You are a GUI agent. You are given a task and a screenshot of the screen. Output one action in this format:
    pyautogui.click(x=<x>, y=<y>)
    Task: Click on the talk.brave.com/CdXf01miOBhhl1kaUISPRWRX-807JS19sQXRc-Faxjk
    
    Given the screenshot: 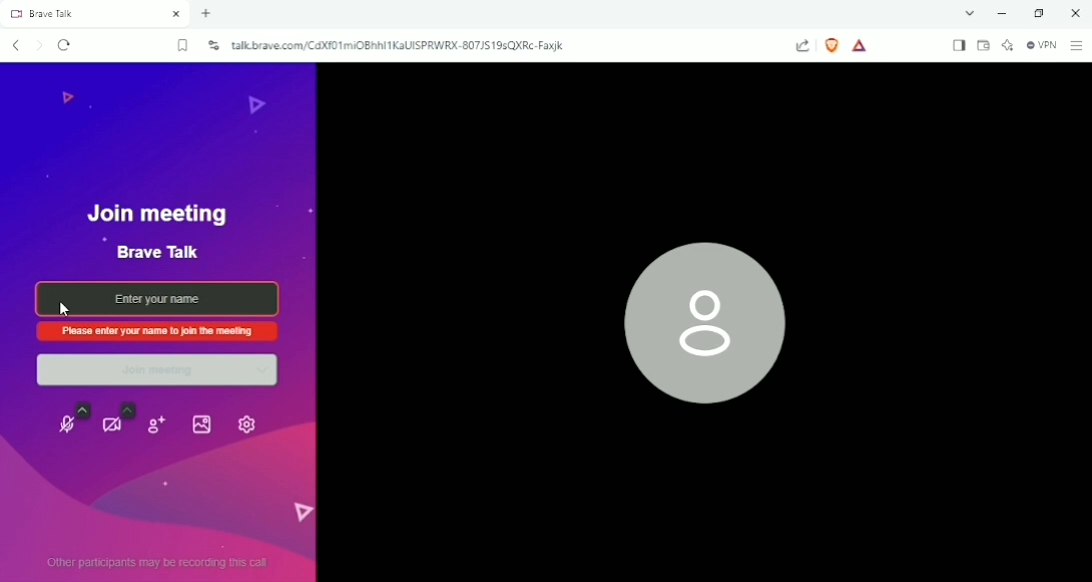 What is the action you would take?
    pyautogui.click(x=506, y=46)
    